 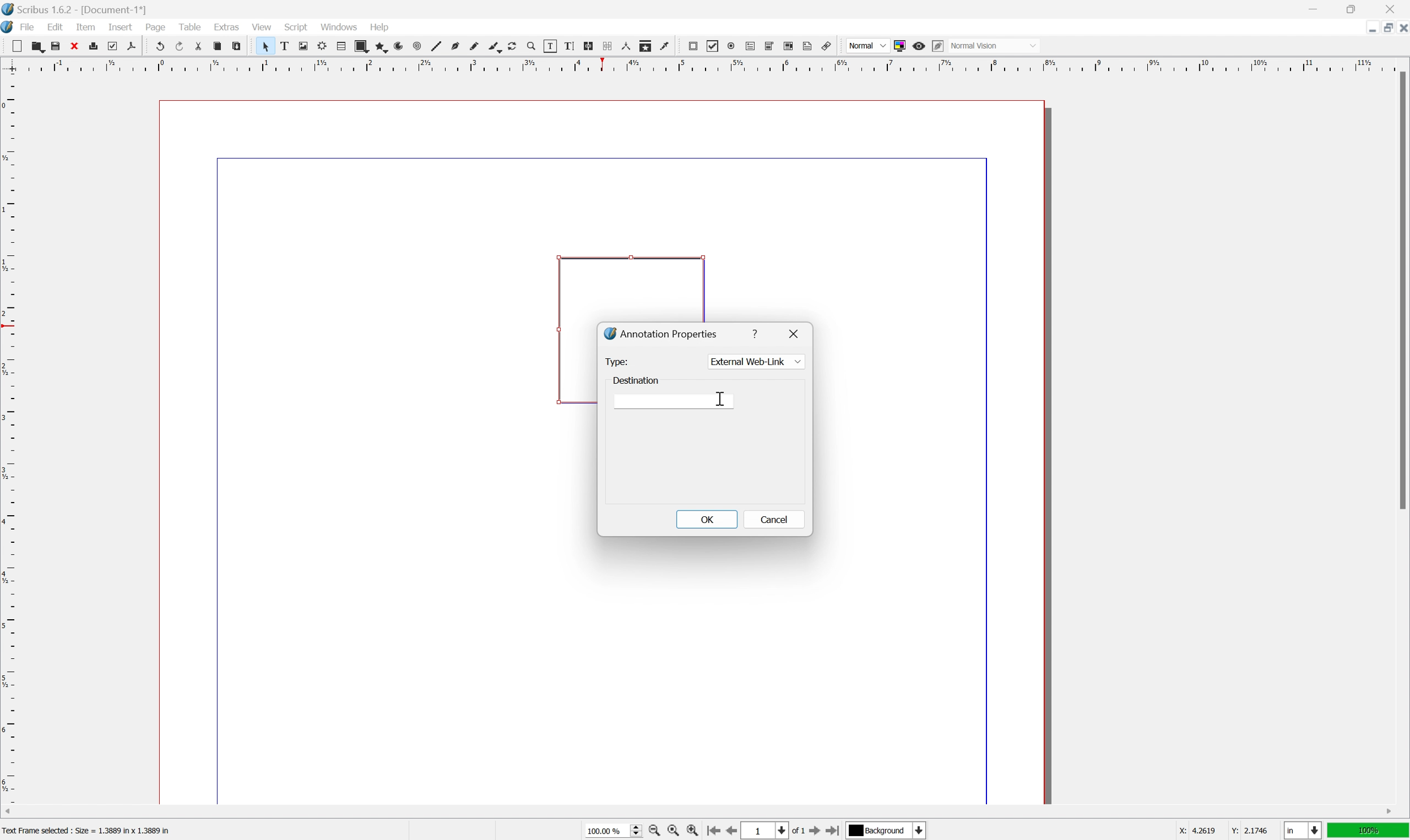 I want to click on edit text with story editor, so click(x=569, y=46).